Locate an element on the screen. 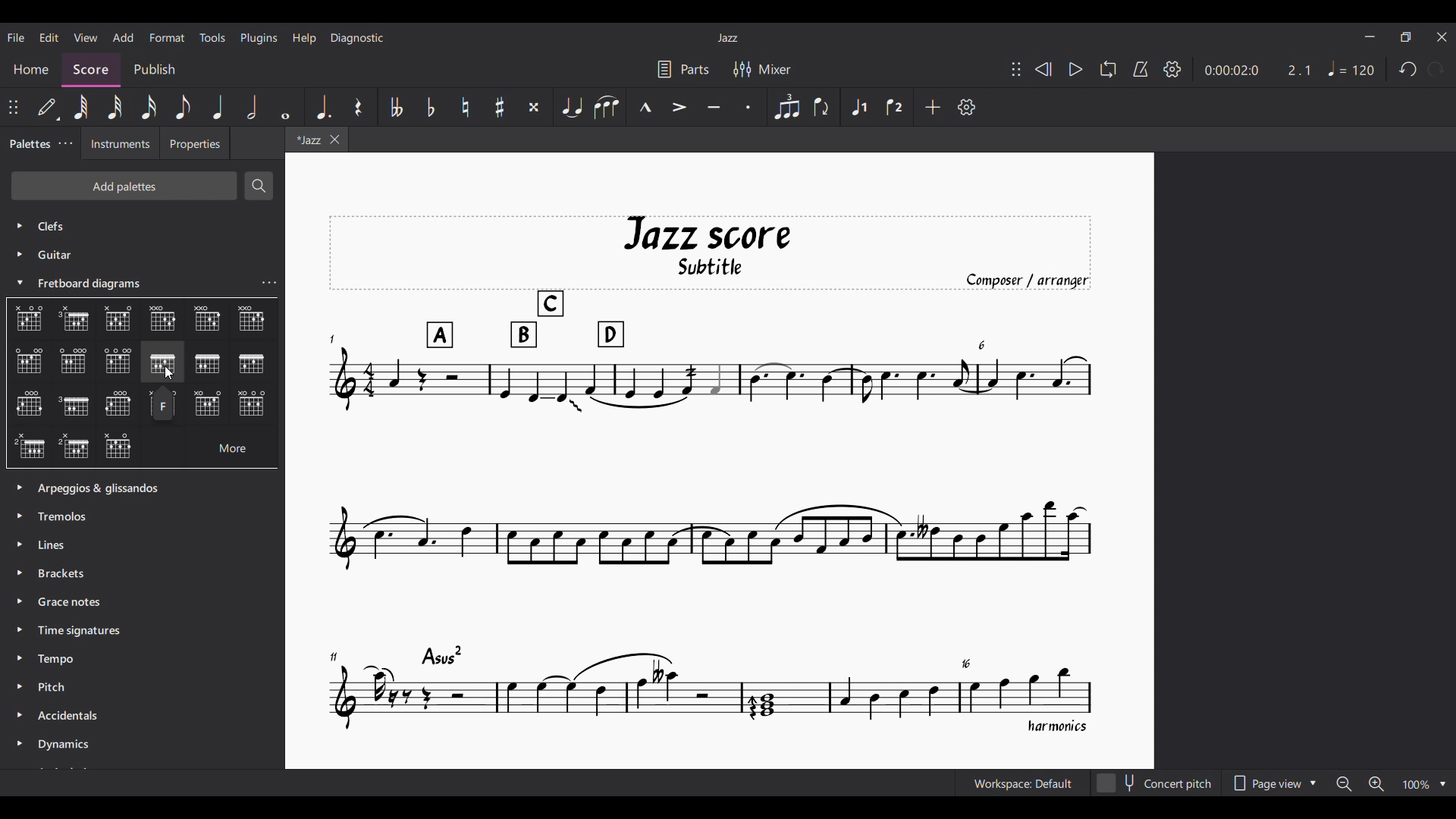 The image size is (1456, 819). Voice 2 is located at coordinates (896, 107).